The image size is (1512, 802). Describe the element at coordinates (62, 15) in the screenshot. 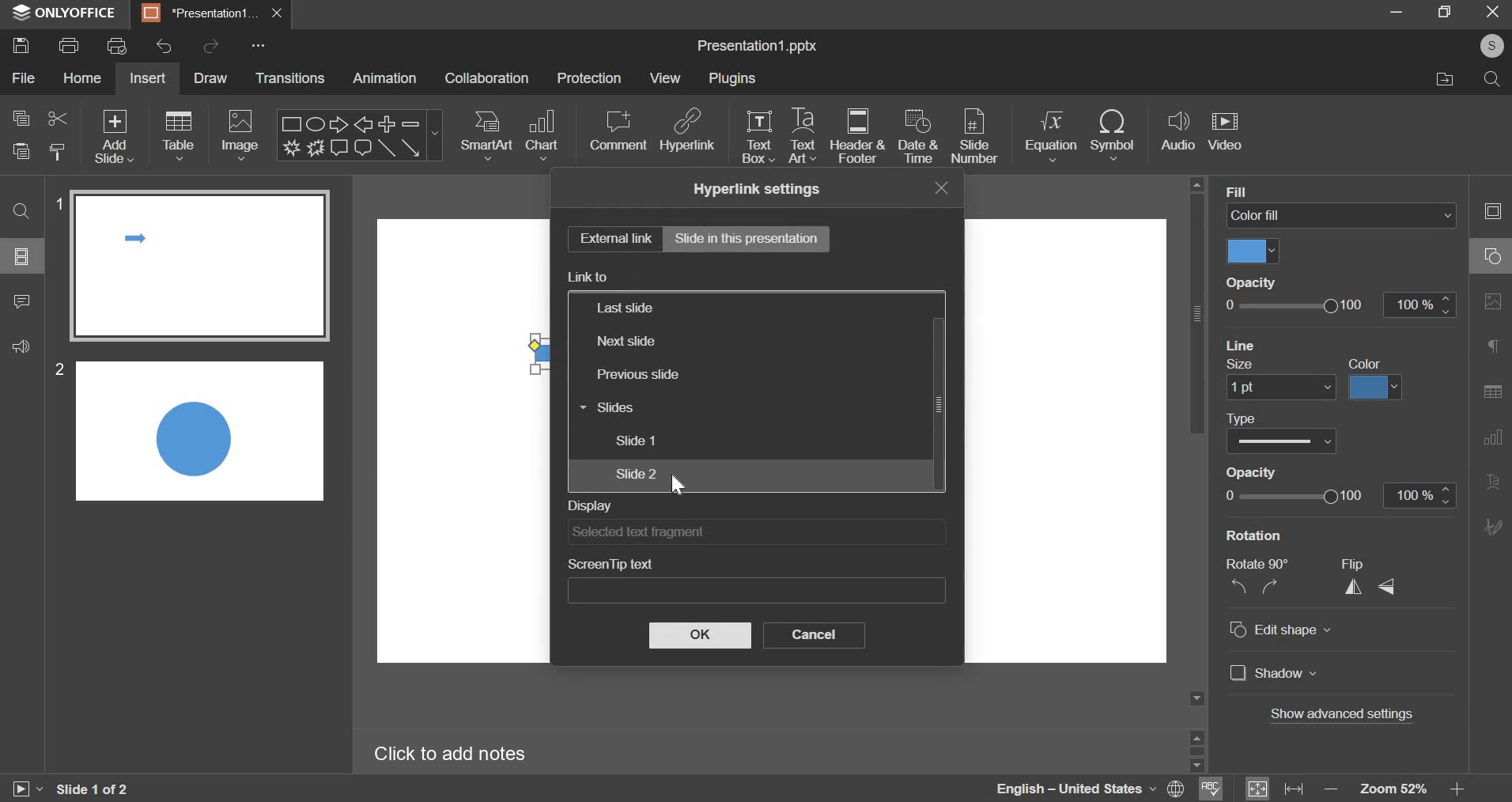

I see `ONLYOFFICE` at that location.